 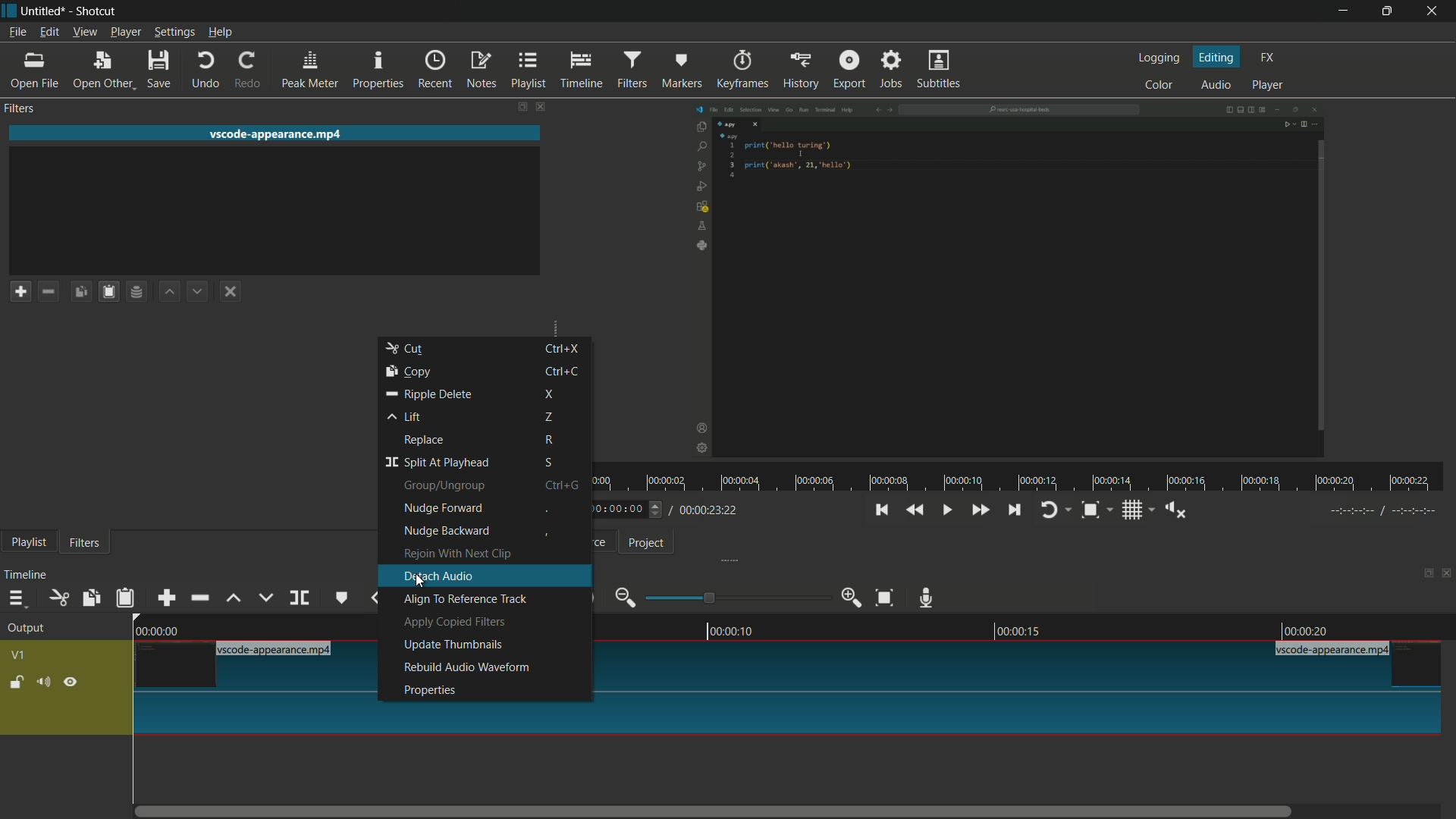 I want to click on mute, so click(x=43, y=682).